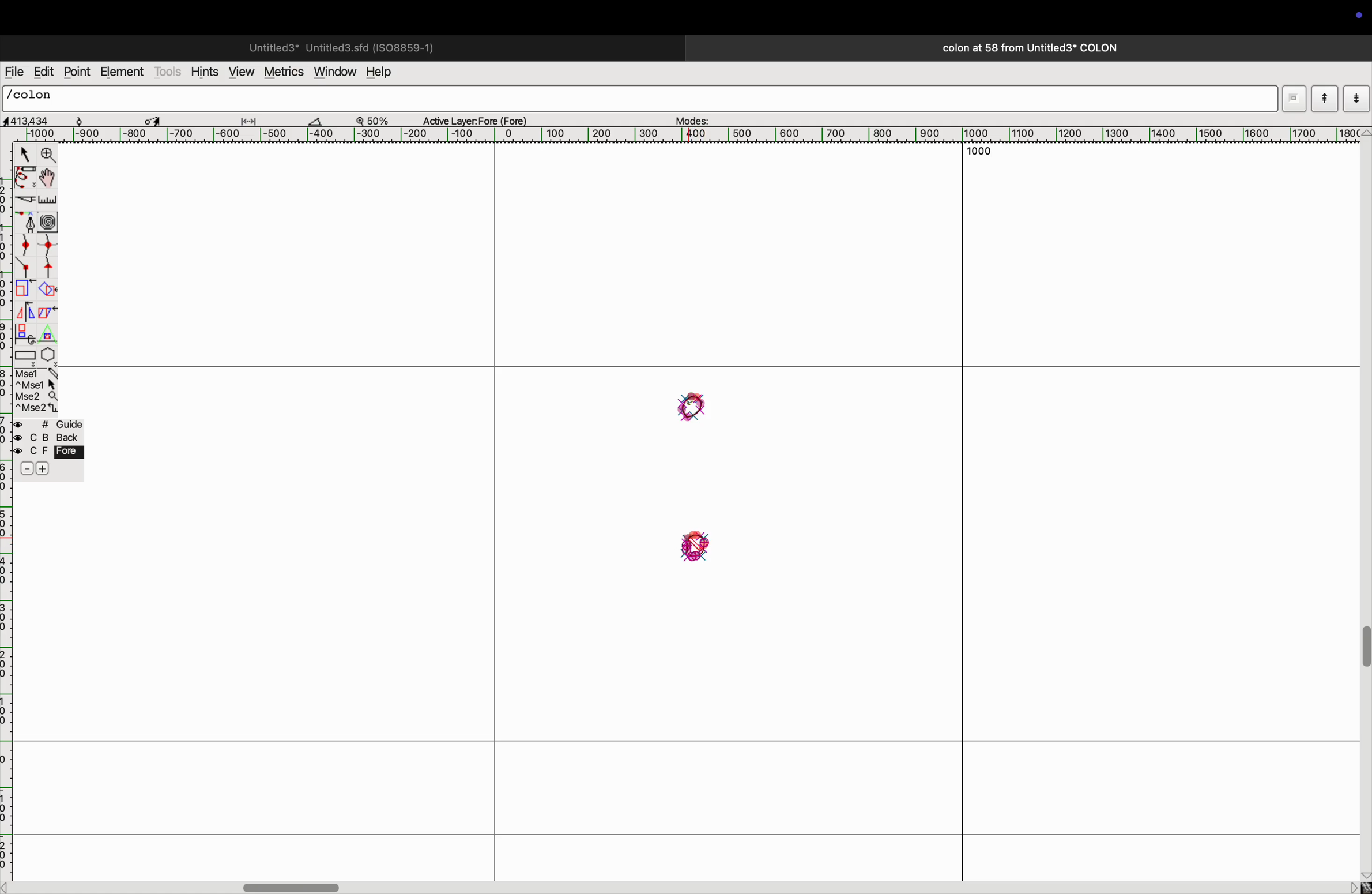  I want to click on horizontal scale, so click(701, 135).